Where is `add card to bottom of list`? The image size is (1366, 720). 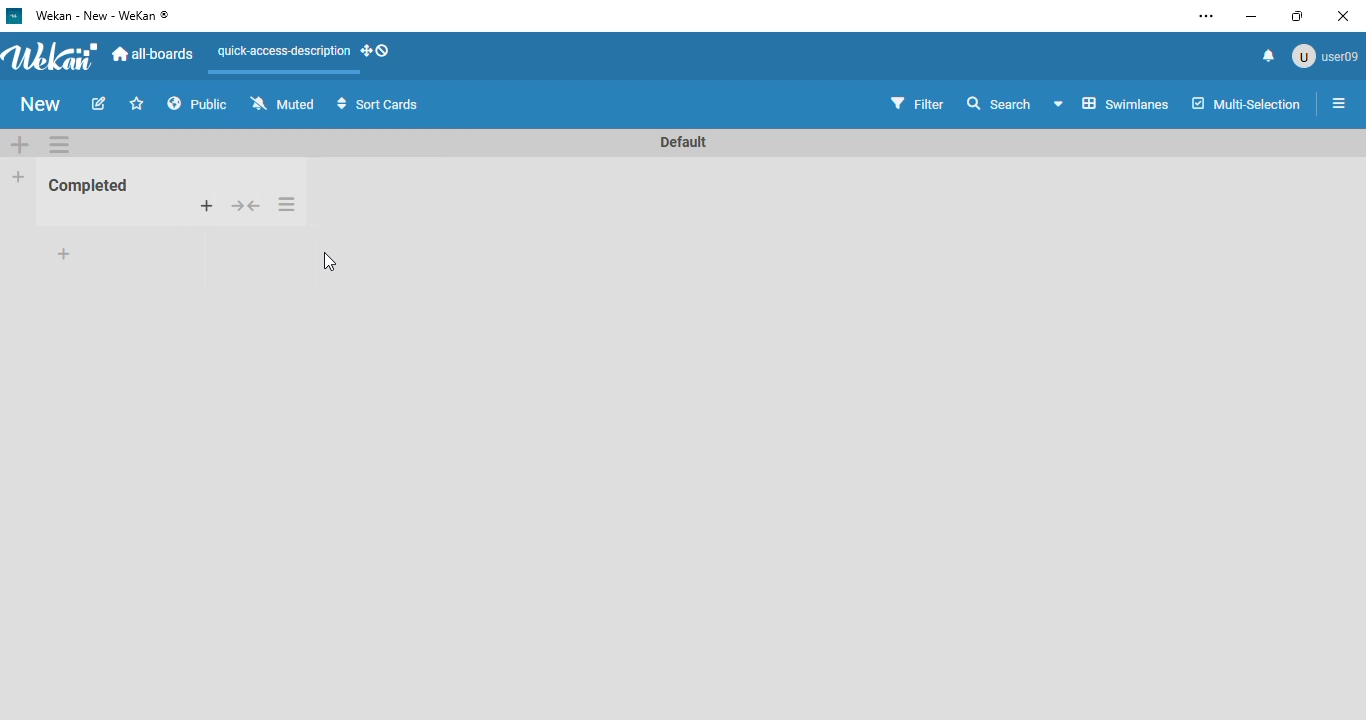 add card to bottom of list is located at coordinates (65, 256).